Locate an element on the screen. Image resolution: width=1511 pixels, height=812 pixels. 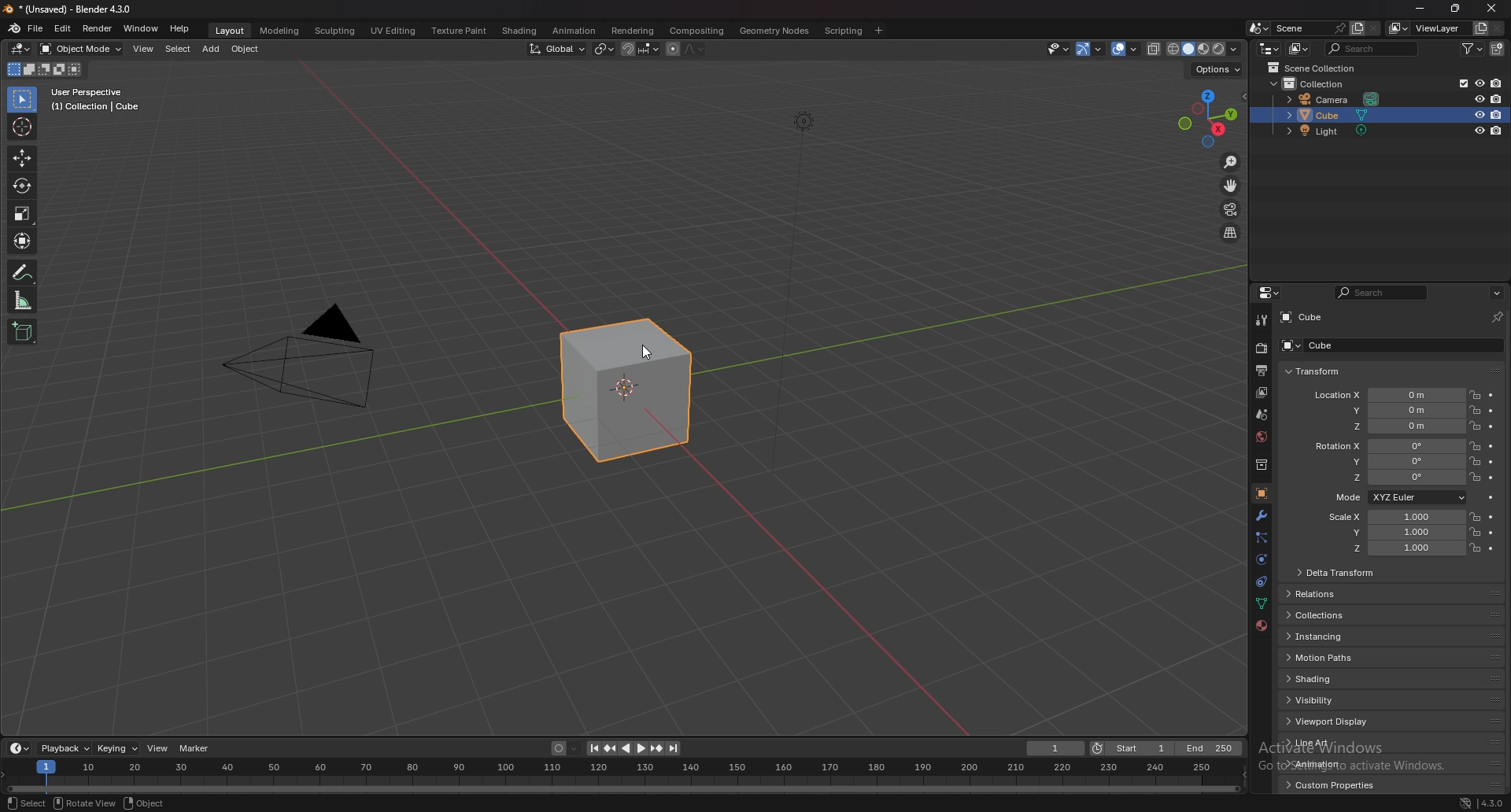
transform pivot point is located at coordinates (604, 49).